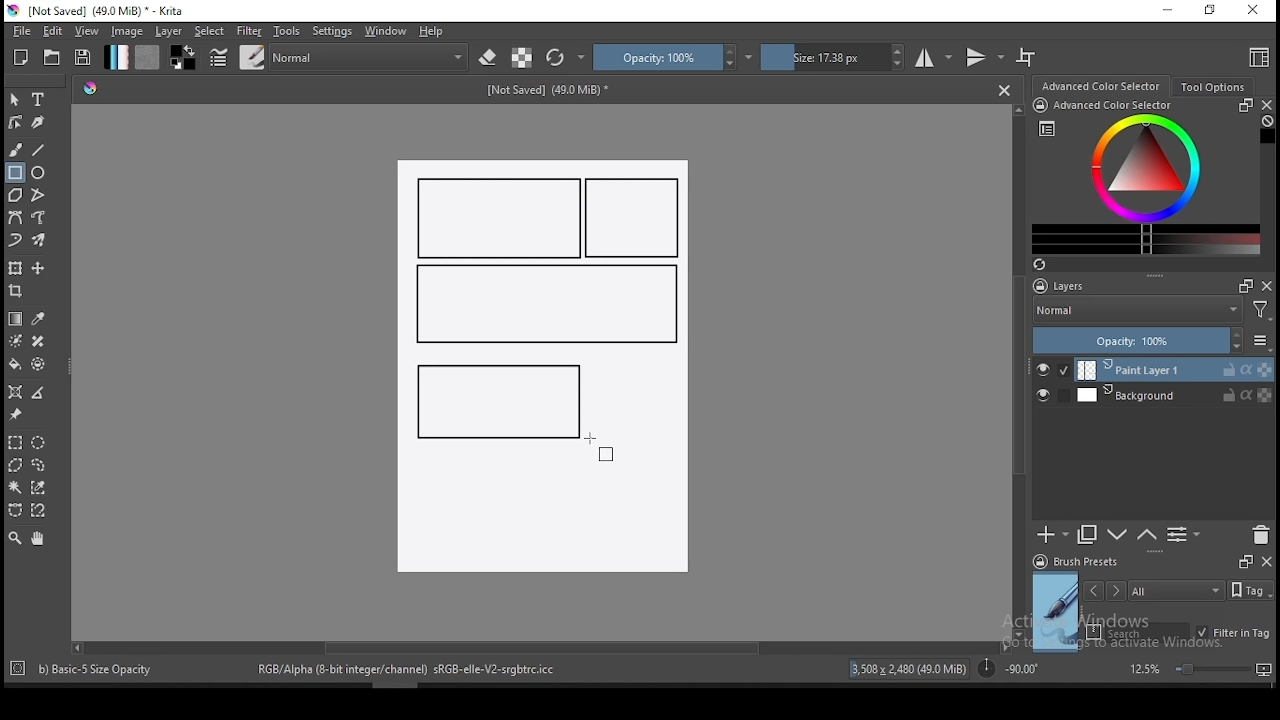  What do you see at coordinates (332, 31) in the screenshot?
I see `settings` at bounding box center [332, 31].